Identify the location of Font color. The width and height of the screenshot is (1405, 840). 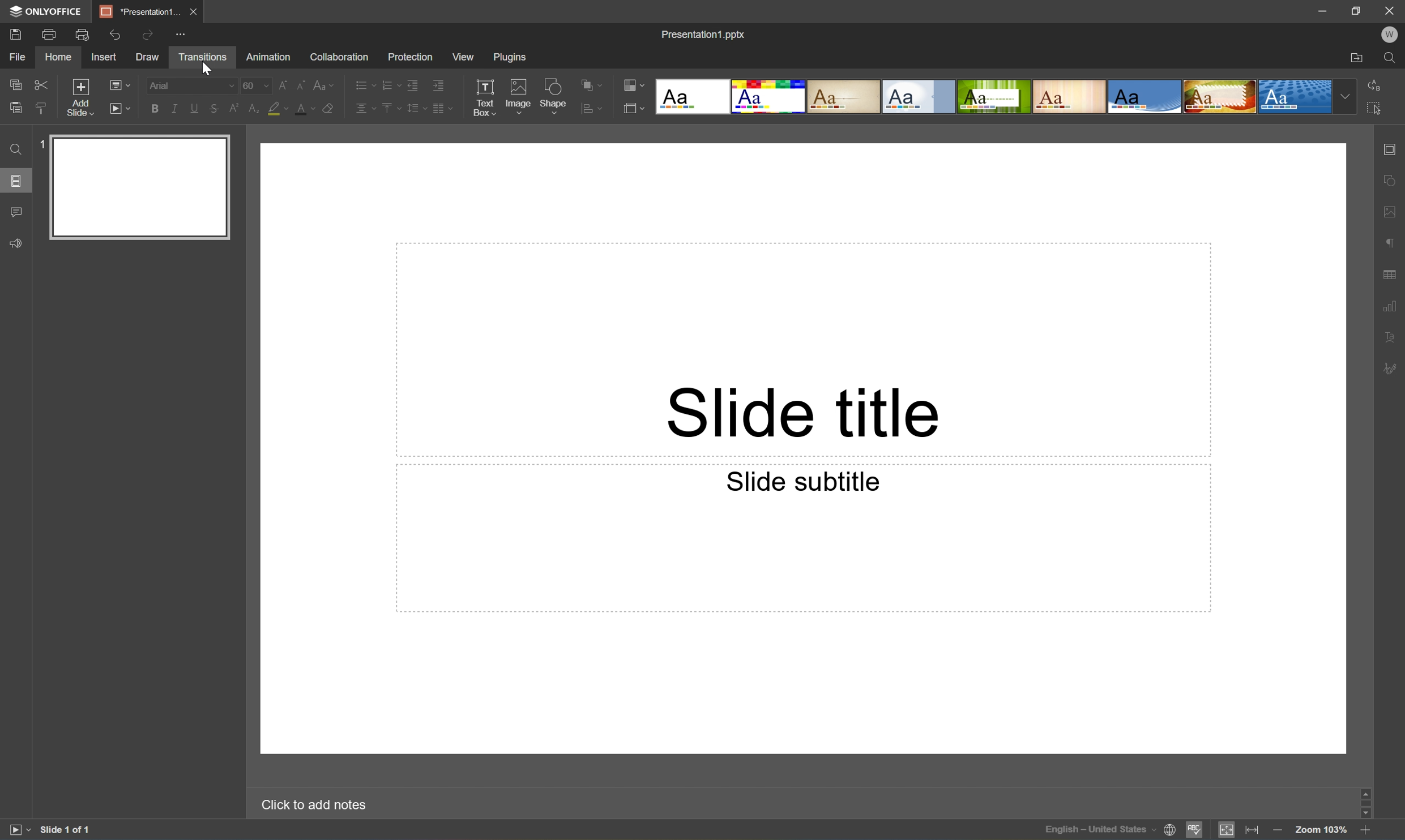
(304, 108).